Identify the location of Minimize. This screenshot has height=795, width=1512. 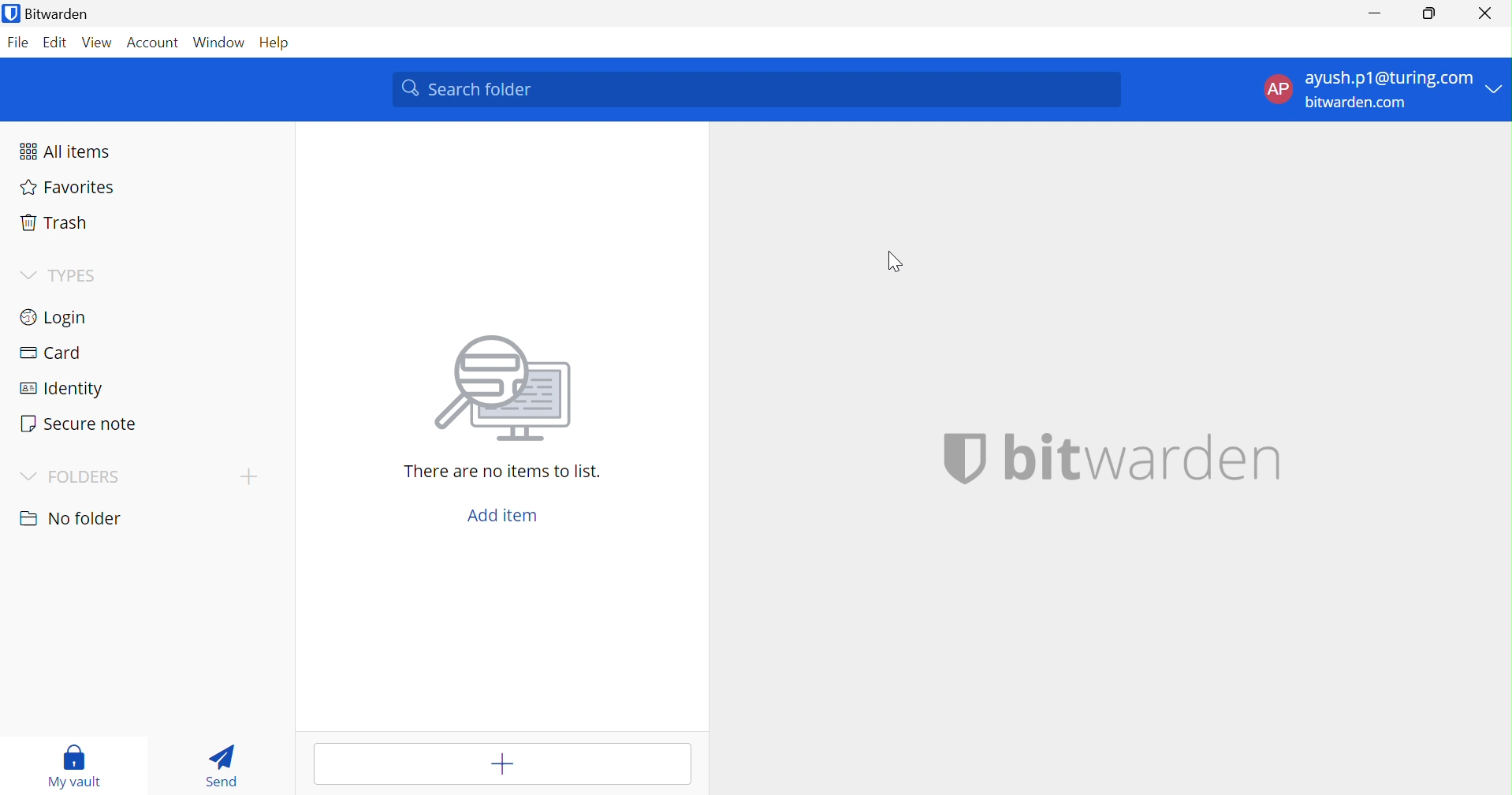
(1372, 13).